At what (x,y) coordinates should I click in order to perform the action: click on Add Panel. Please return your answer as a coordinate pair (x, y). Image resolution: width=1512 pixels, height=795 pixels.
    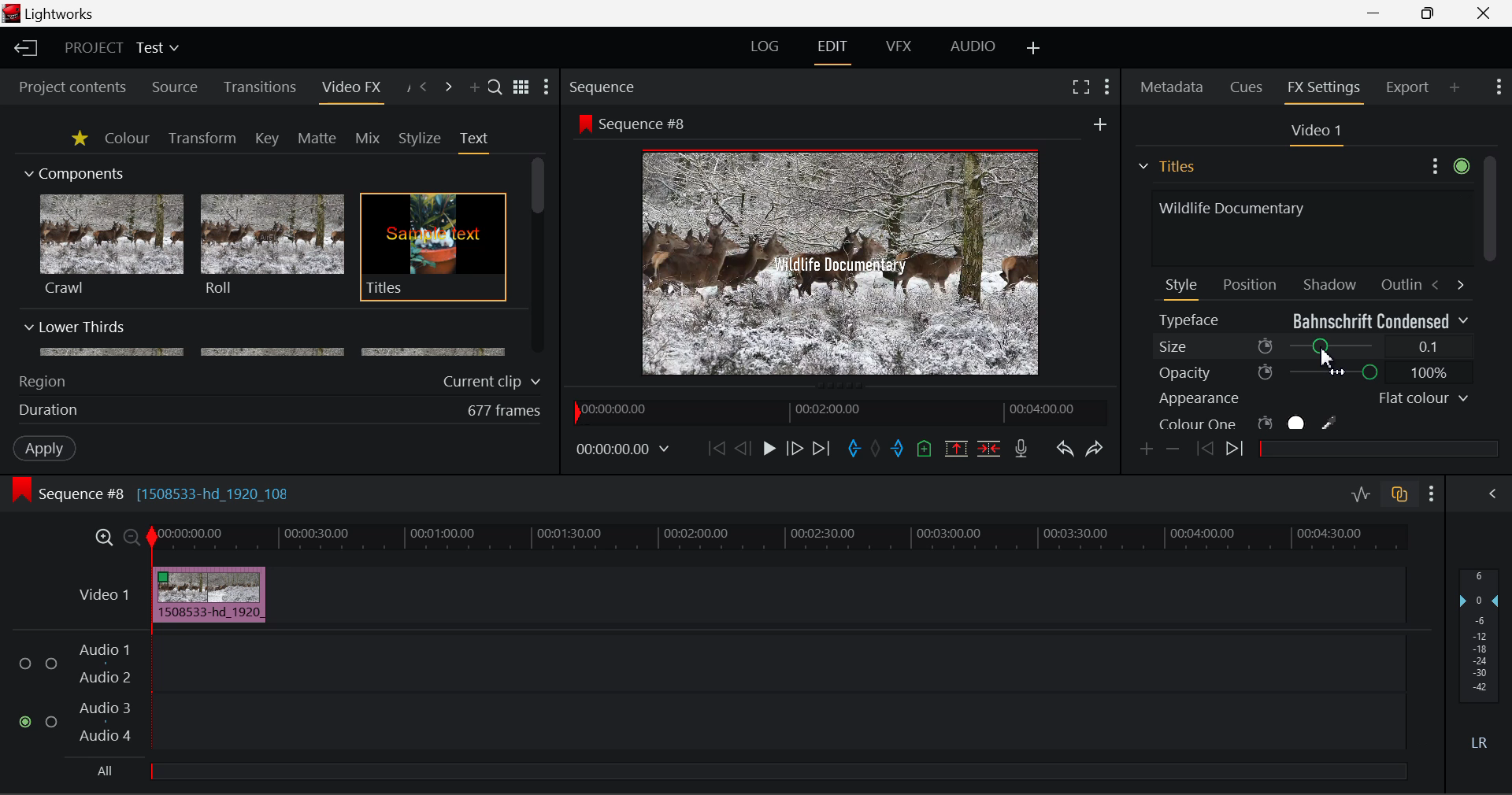
    Looking at the image, I should click on (1455, 87).